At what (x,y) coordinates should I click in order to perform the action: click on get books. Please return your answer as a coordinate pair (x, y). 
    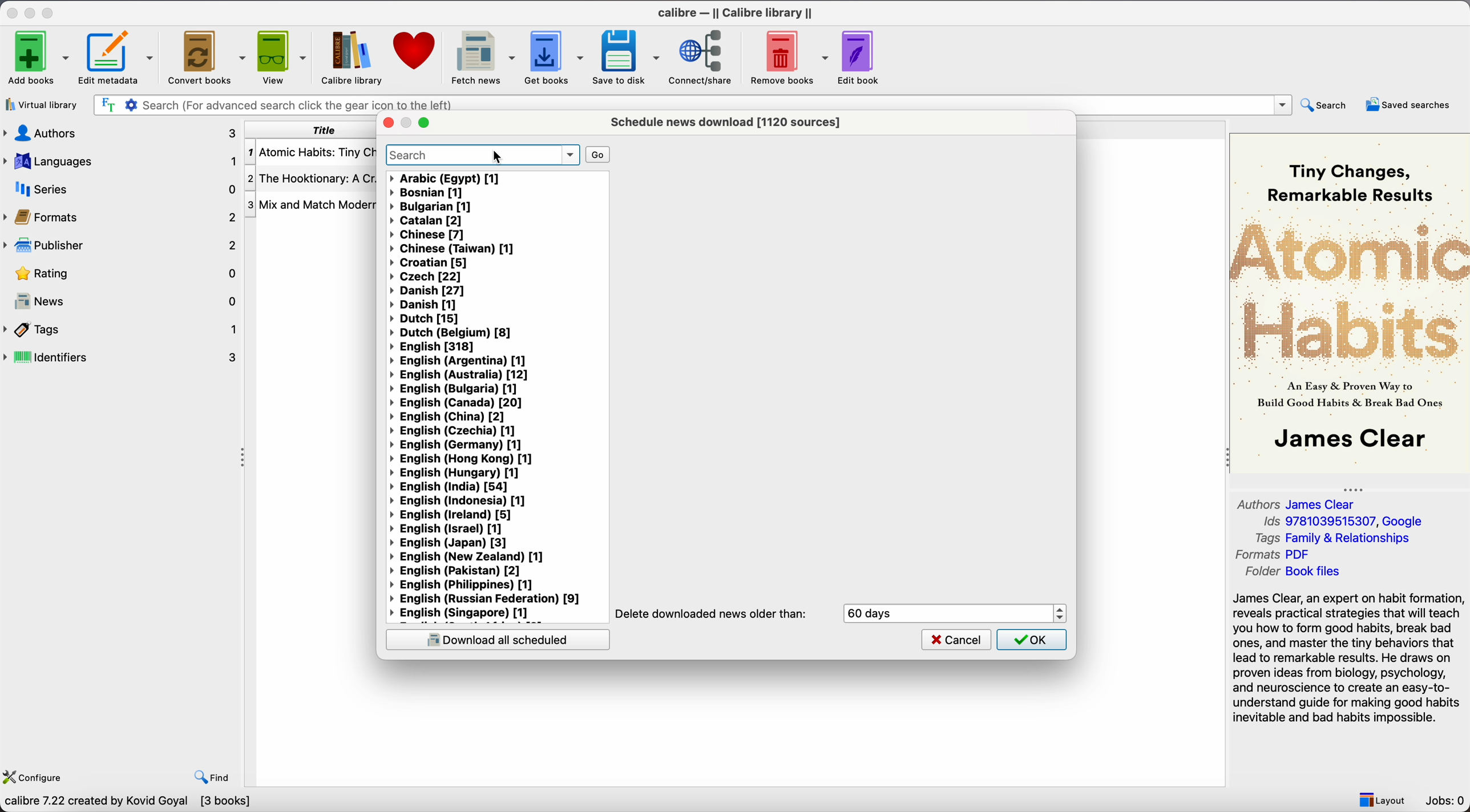
    Looking at the image, I should click on (554, 58).